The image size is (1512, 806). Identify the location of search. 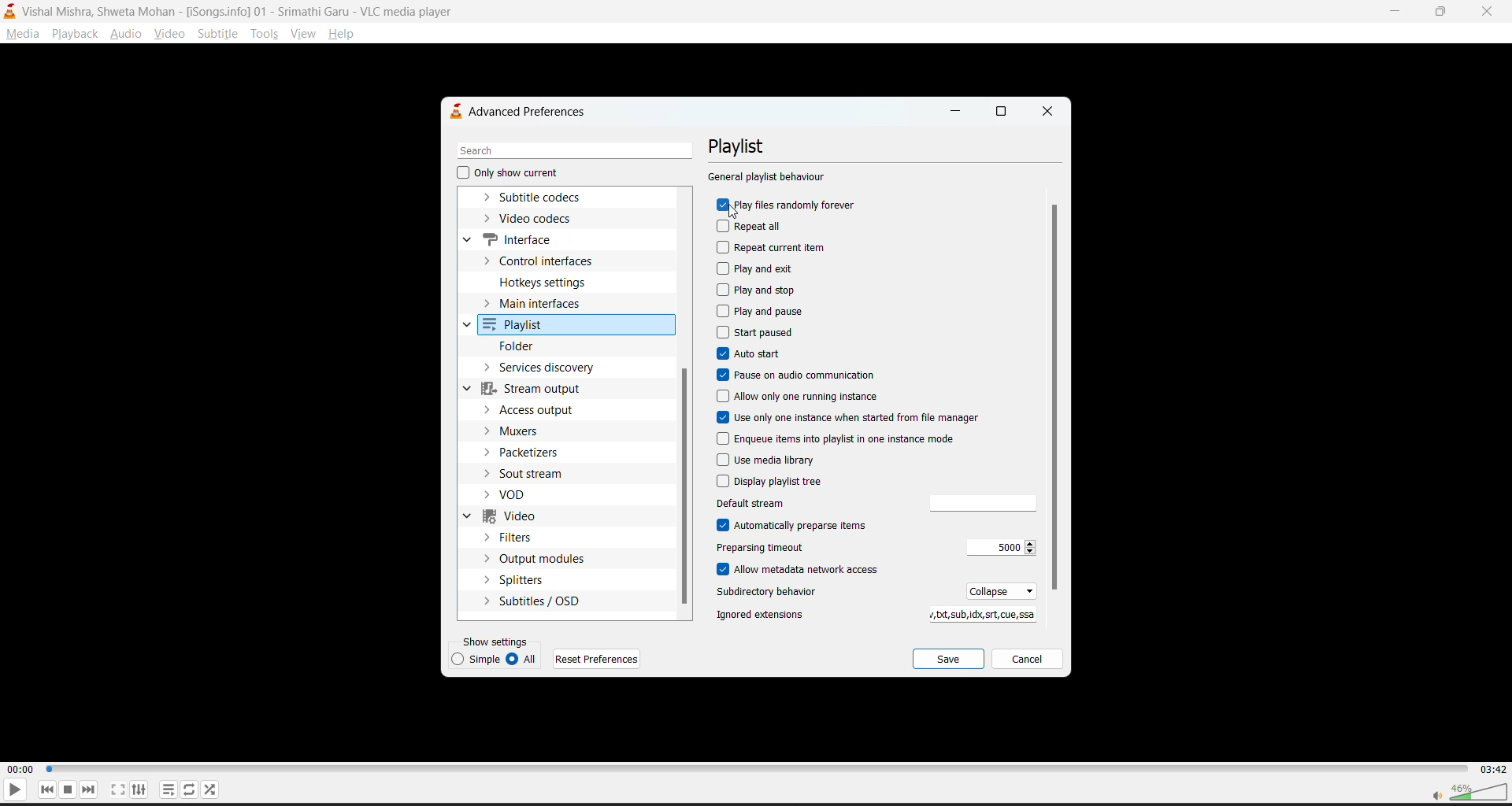
(573, 151).